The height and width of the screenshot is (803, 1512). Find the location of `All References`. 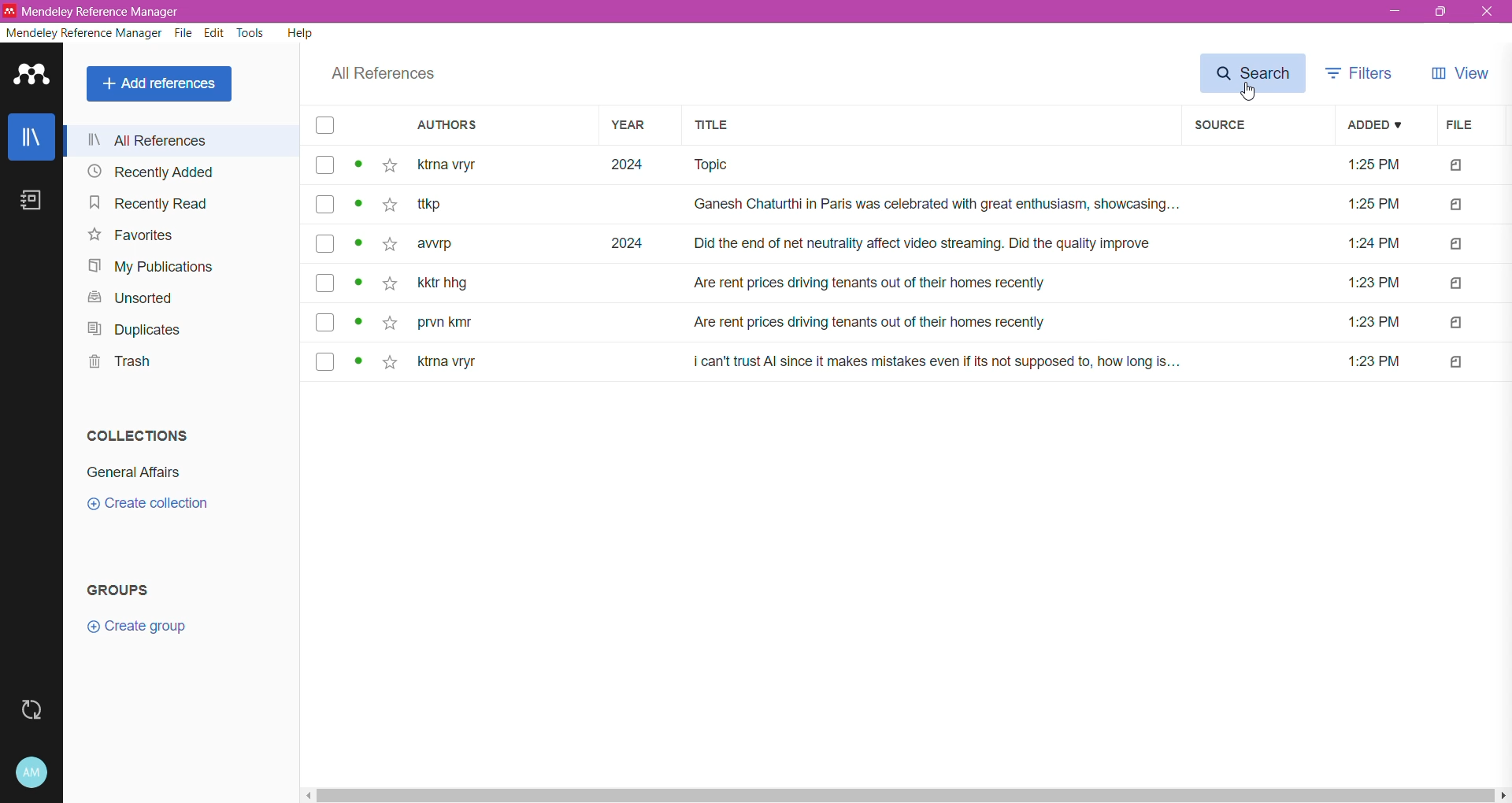

All References is located at coordinates (176, 142).